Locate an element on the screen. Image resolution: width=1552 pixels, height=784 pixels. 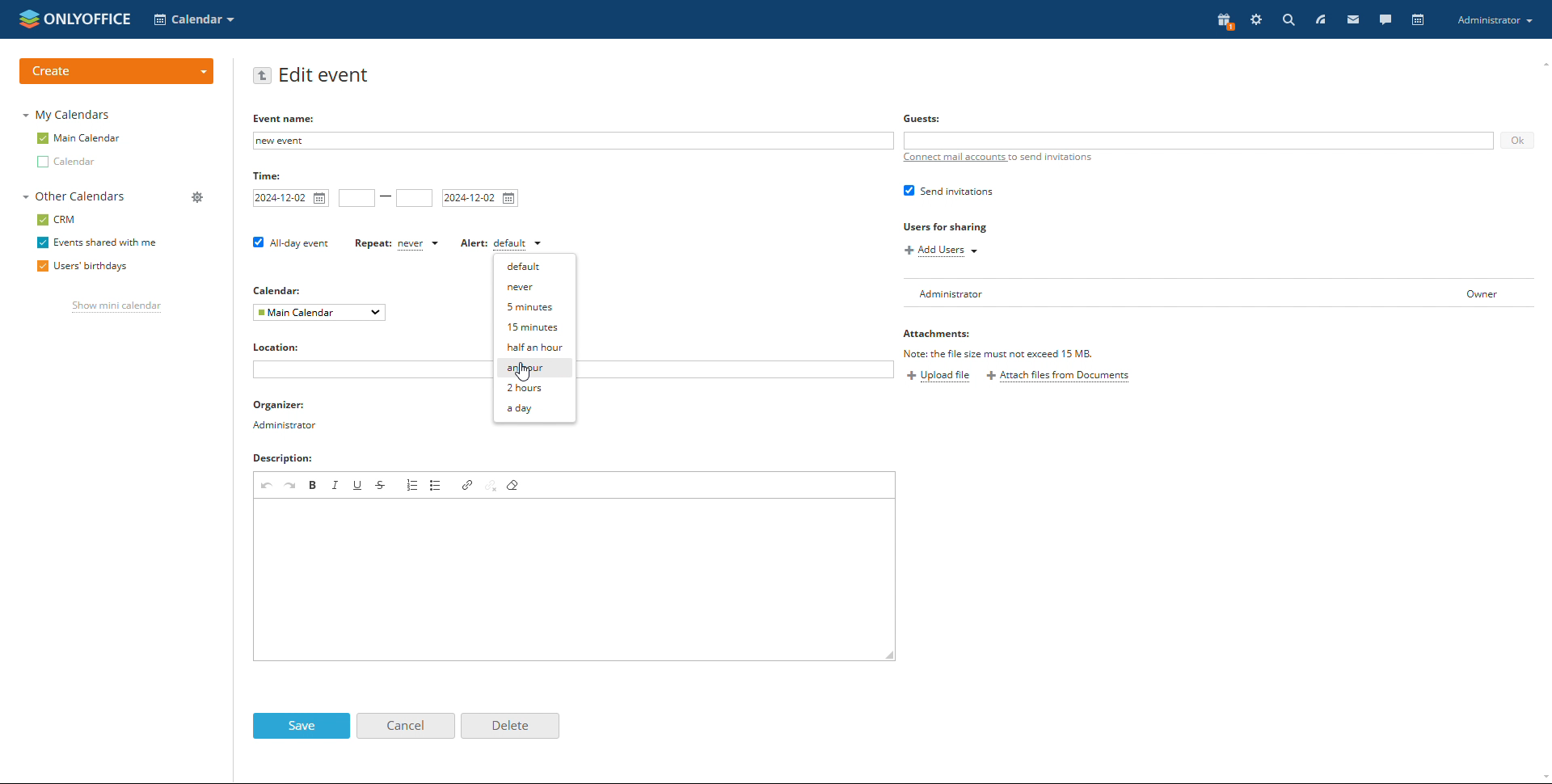
set repetition is located at coordinates (396, 244).